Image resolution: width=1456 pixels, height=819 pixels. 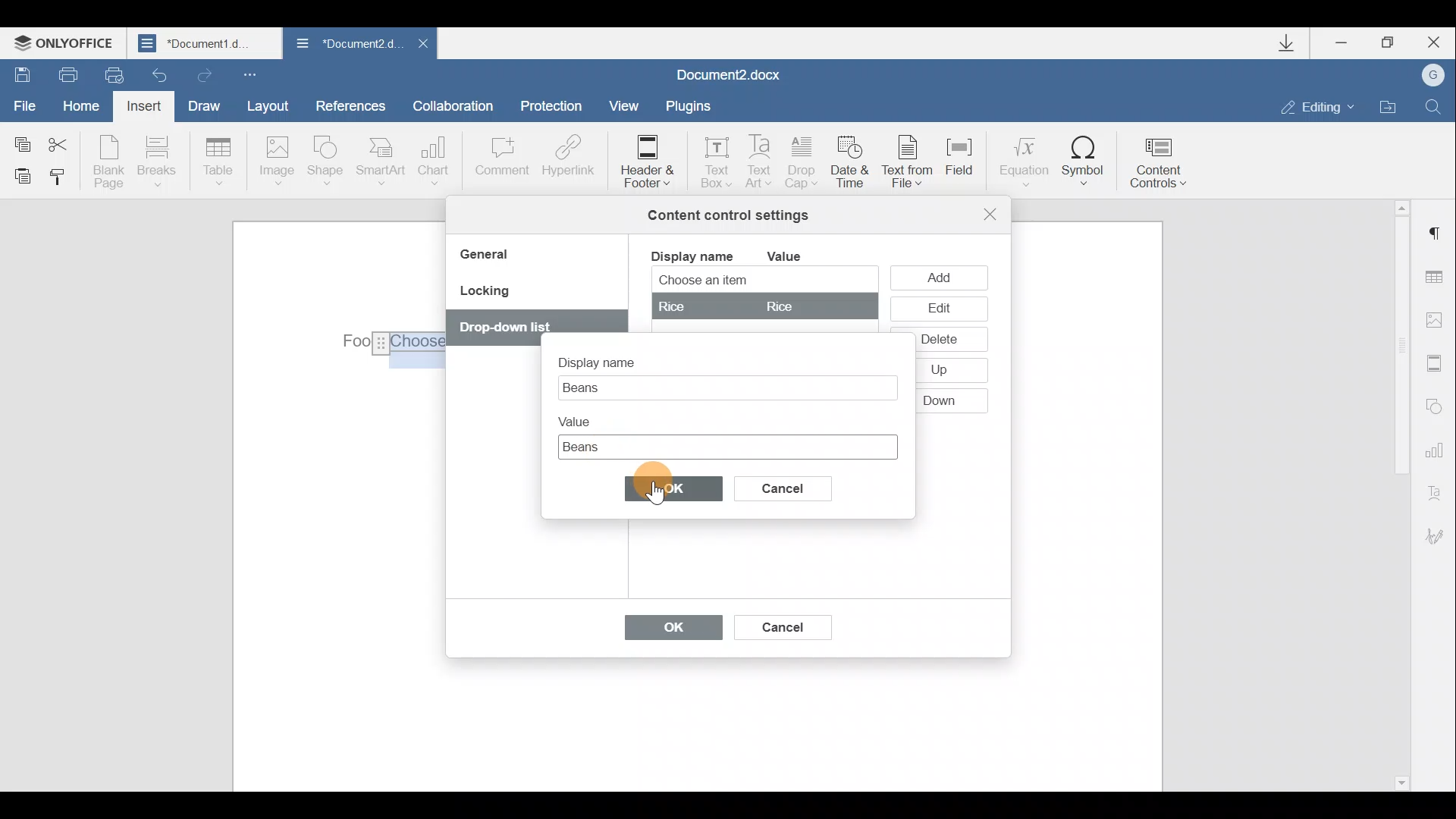 I want to click on Drop cap, so click(x=802, y=164).